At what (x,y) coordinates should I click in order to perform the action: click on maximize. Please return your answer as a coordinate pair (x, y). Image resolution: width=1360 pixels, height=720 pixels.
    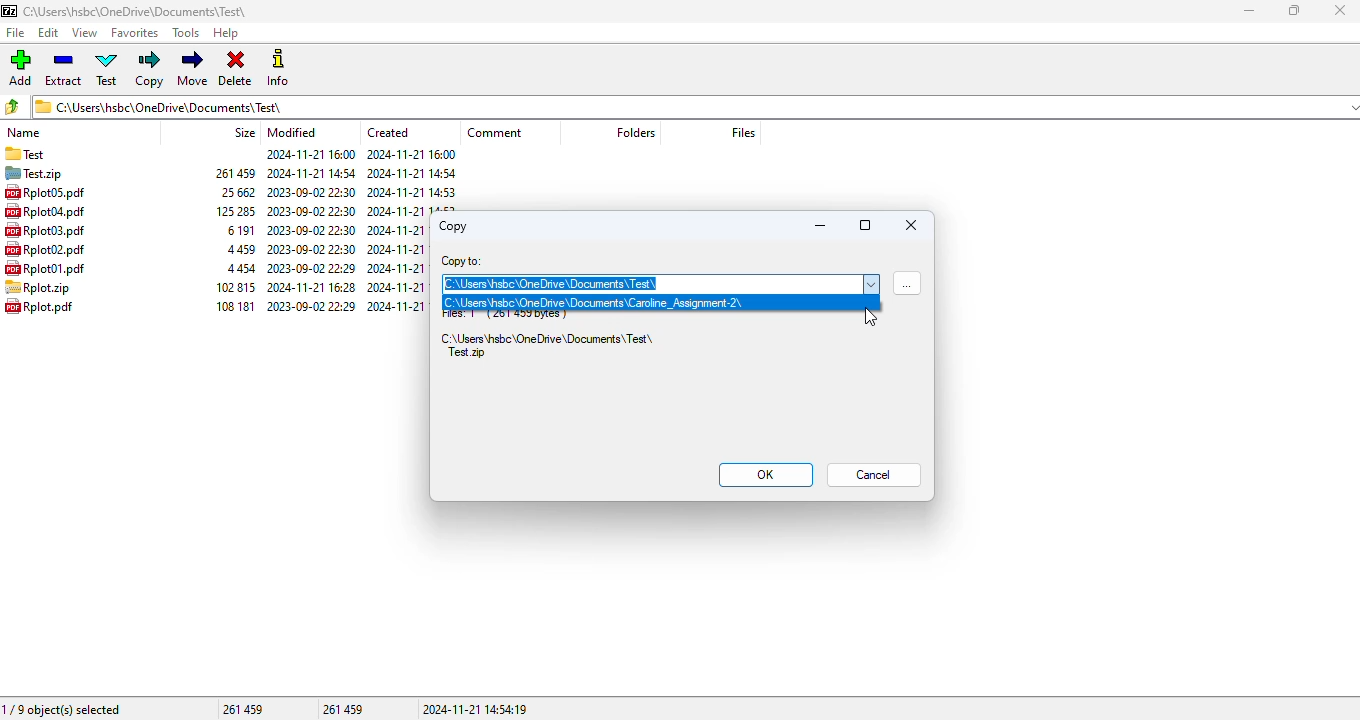
    Looking at the image, I should click on (865, 225).